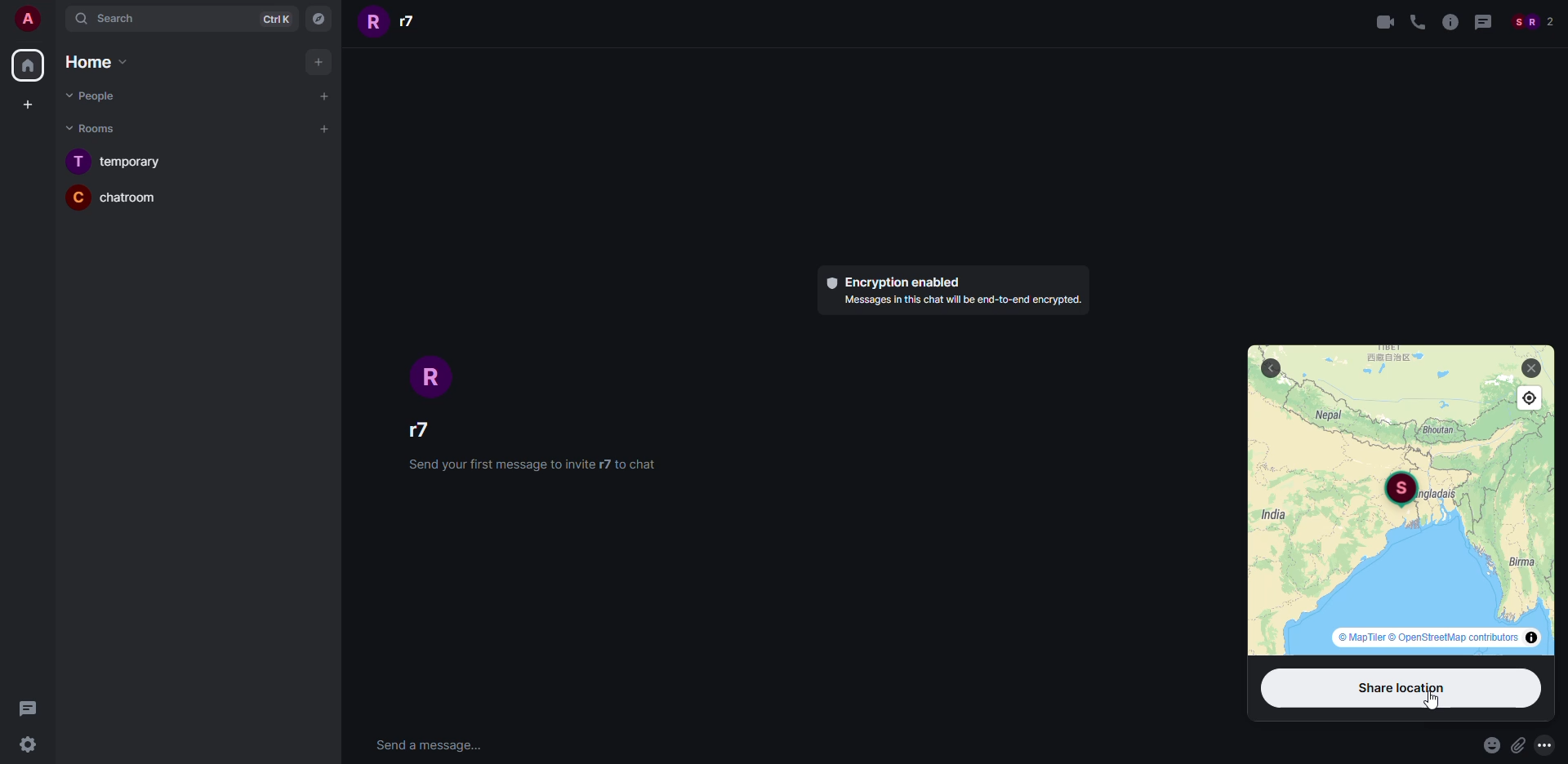  Describe the element at coordinates (429, 747) in the screenshot. I see `Send a message` at that location.